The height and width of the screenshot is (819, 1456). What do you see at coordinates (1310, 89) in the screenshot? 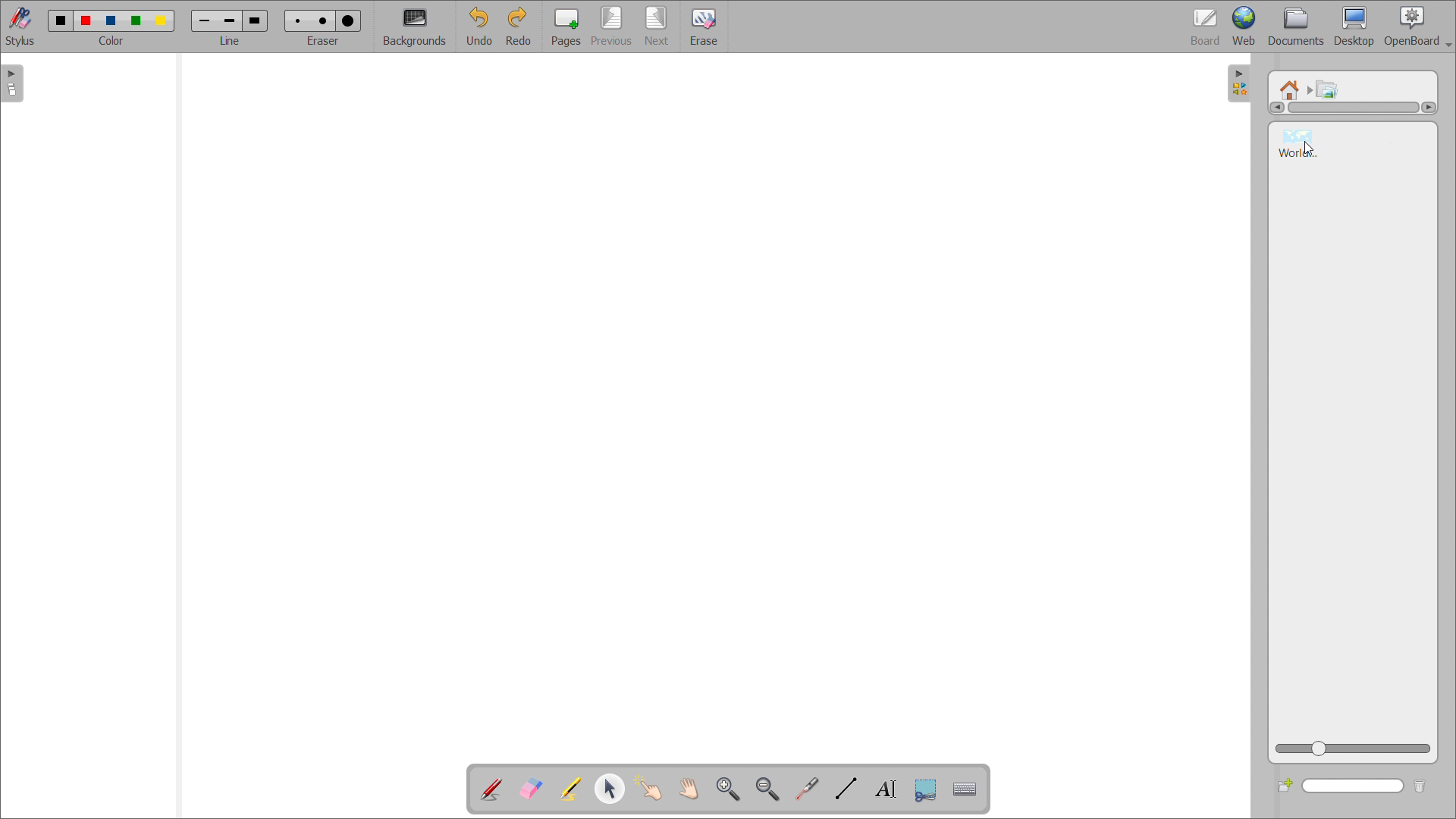
I see `navigated to another folder` at bounding box center [1310, 89].